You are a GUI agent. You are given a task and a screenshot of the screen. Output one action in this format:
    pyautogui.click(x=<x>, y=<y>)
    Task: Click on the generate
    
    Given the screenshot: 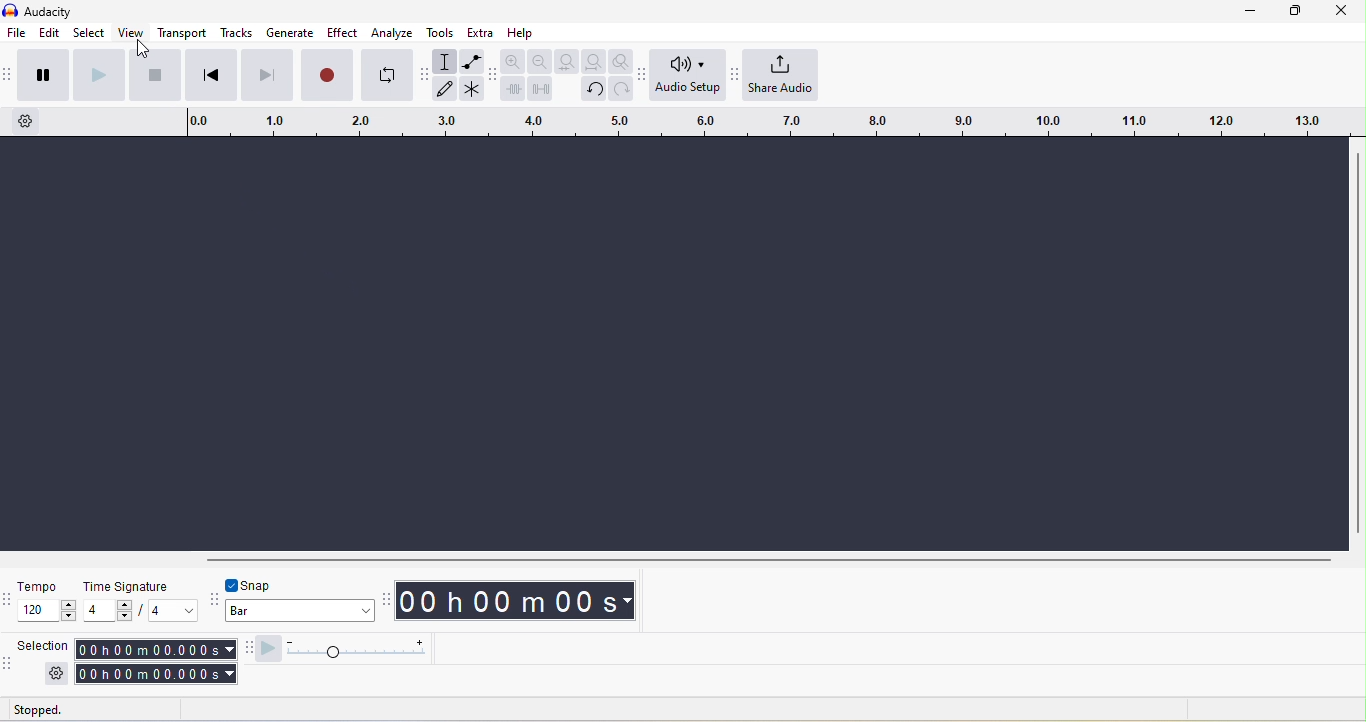 What is the action you would take?
    pyautogui.click(x=290, y=32)
    